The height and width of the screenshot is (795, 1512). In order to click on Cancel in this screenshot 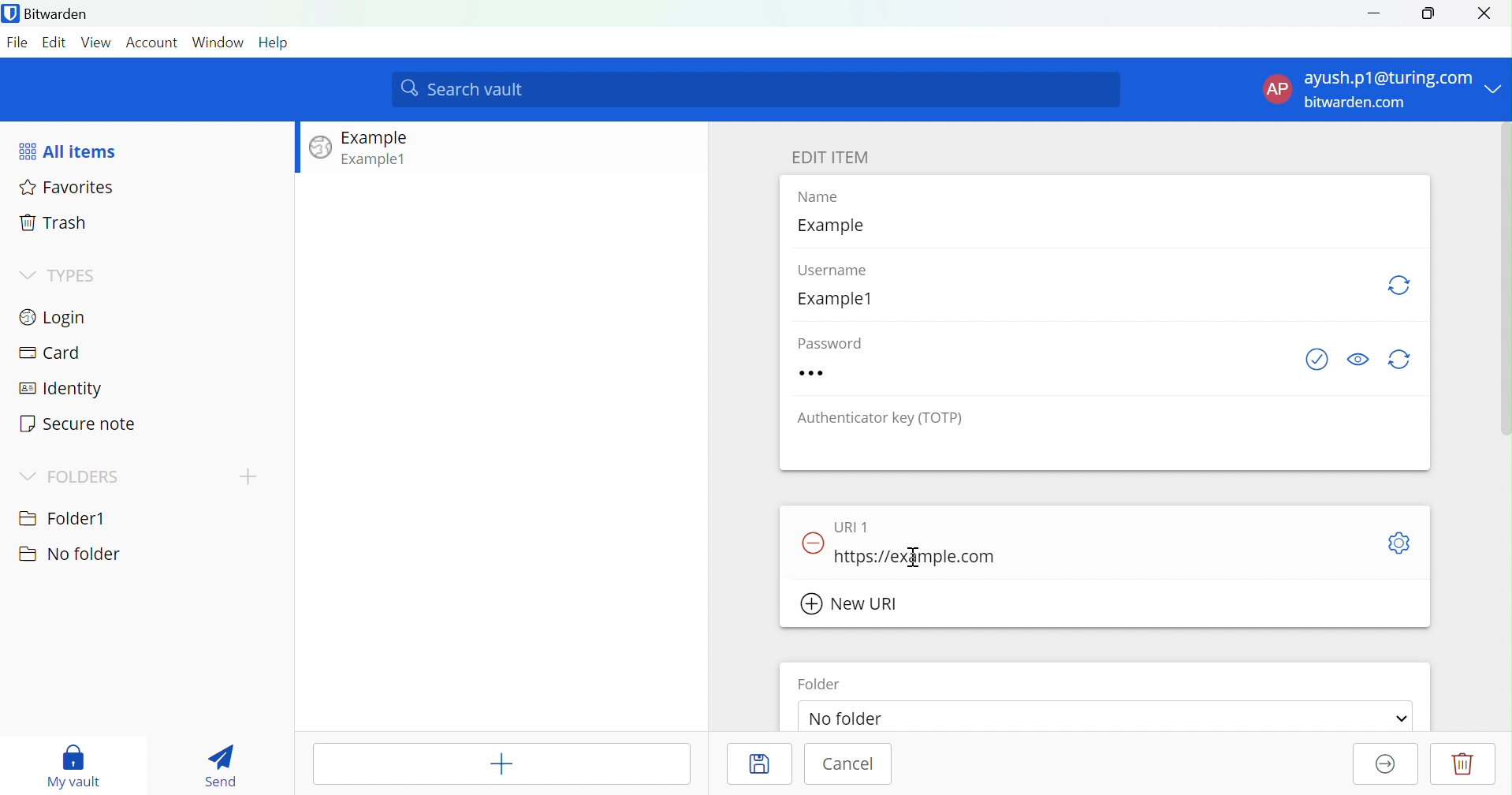, I will do `click(851, 766)`.